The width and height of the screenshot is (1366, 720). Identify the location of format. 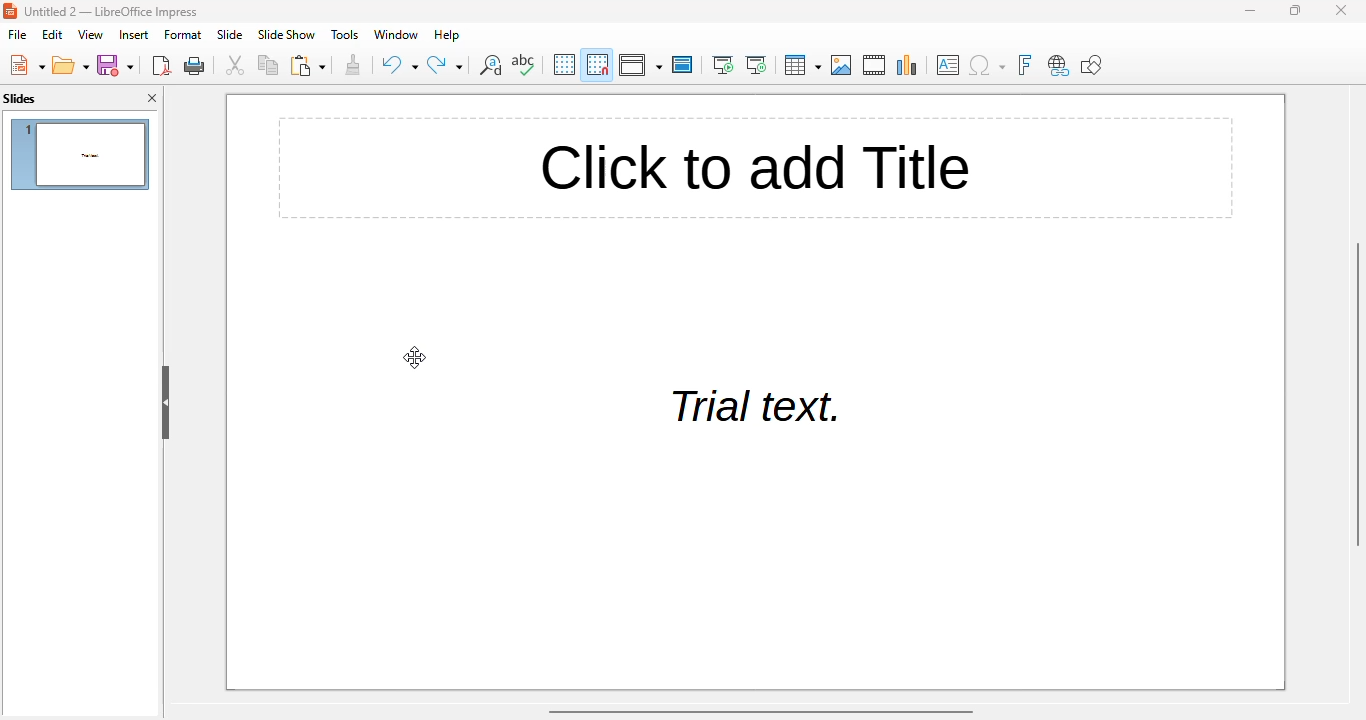
(183, 35).